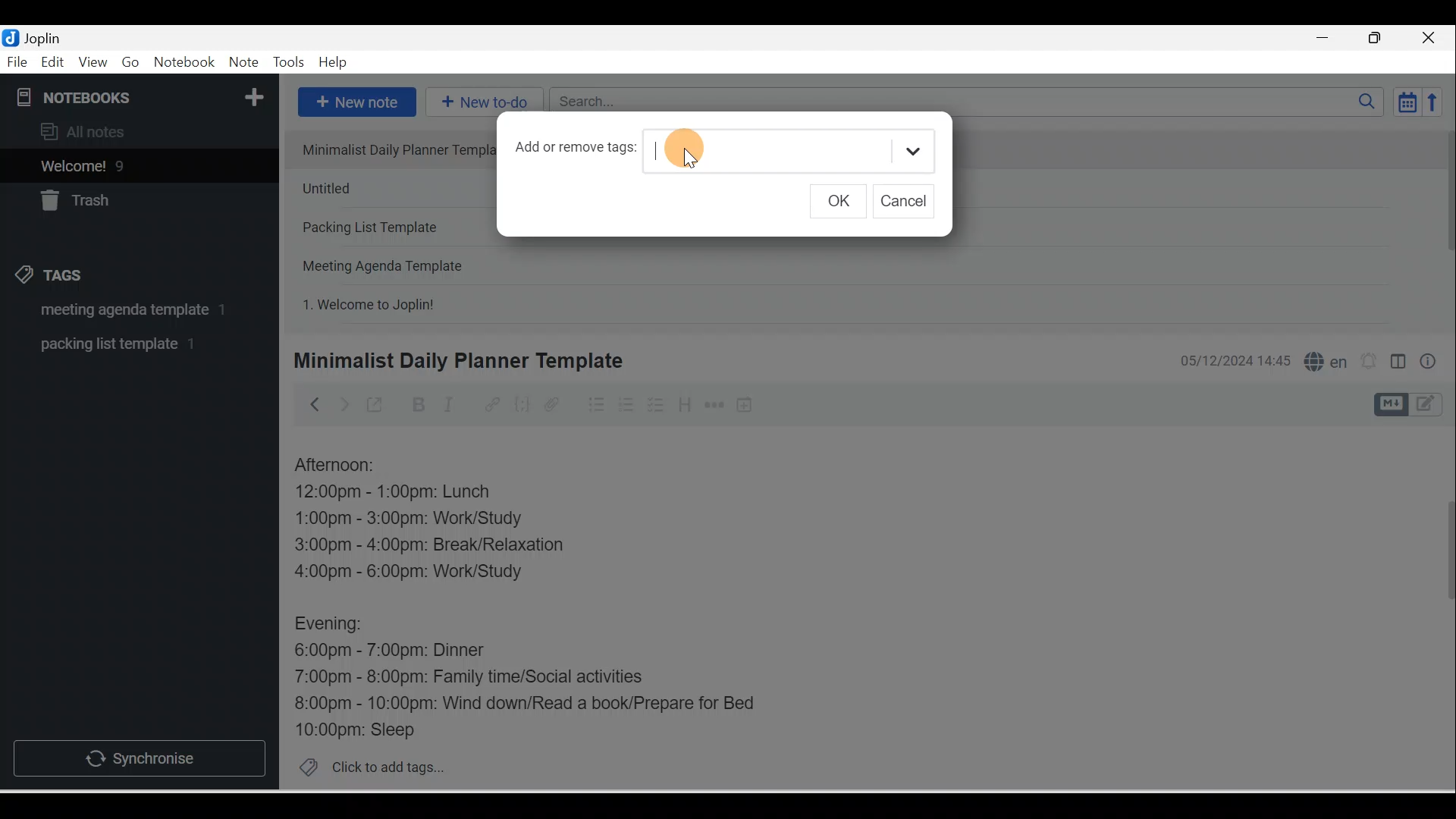 The width and height of the screenshot is (1456, 819). I want to click on 8:00pm - 10:00pm: Wind down/Read a book/Prepare for Bed, so click(526, 704).